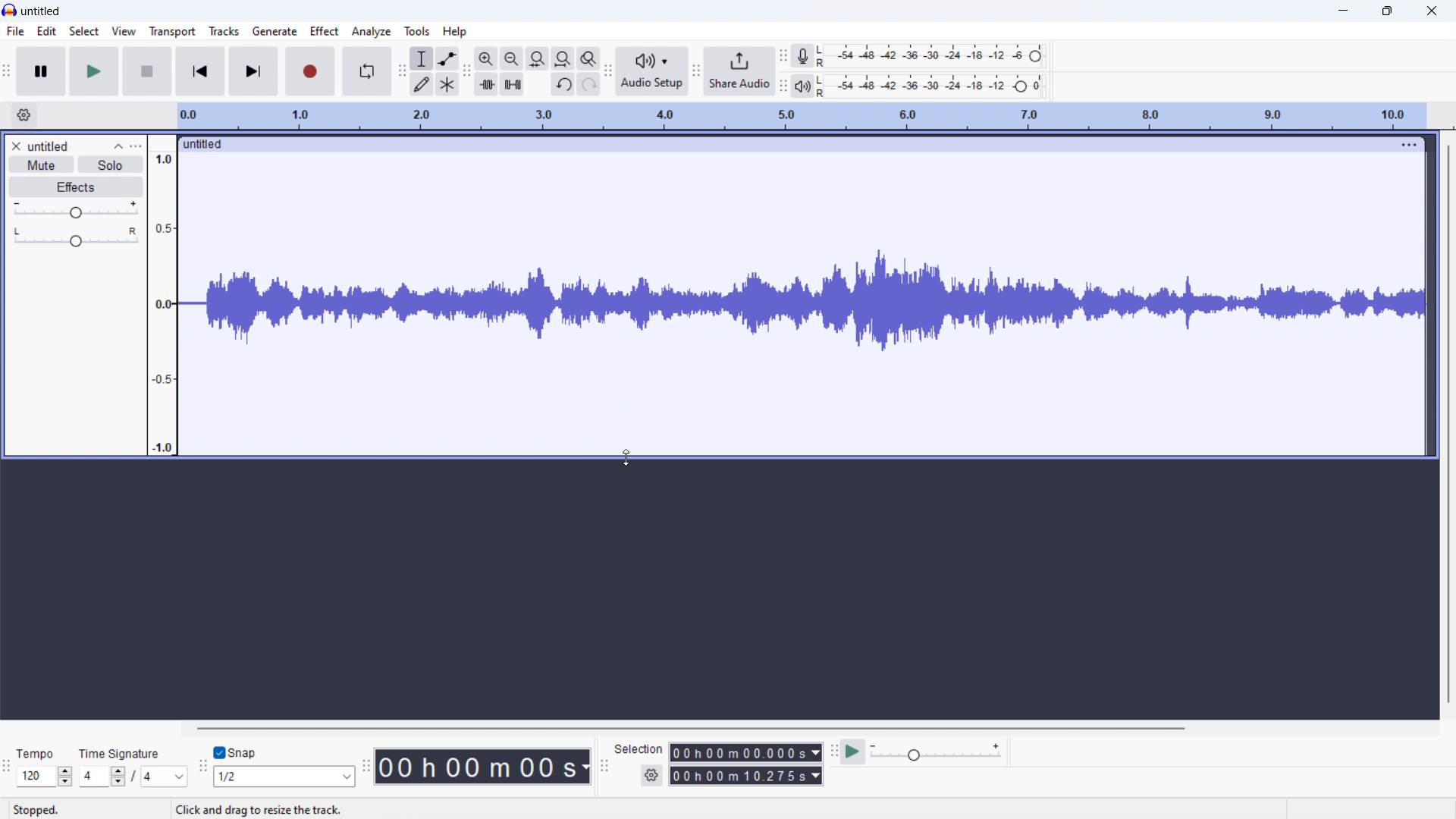 This screenshot has height=819, width=1456. I want to click on vertical scrollbar, so click(1449, 424).